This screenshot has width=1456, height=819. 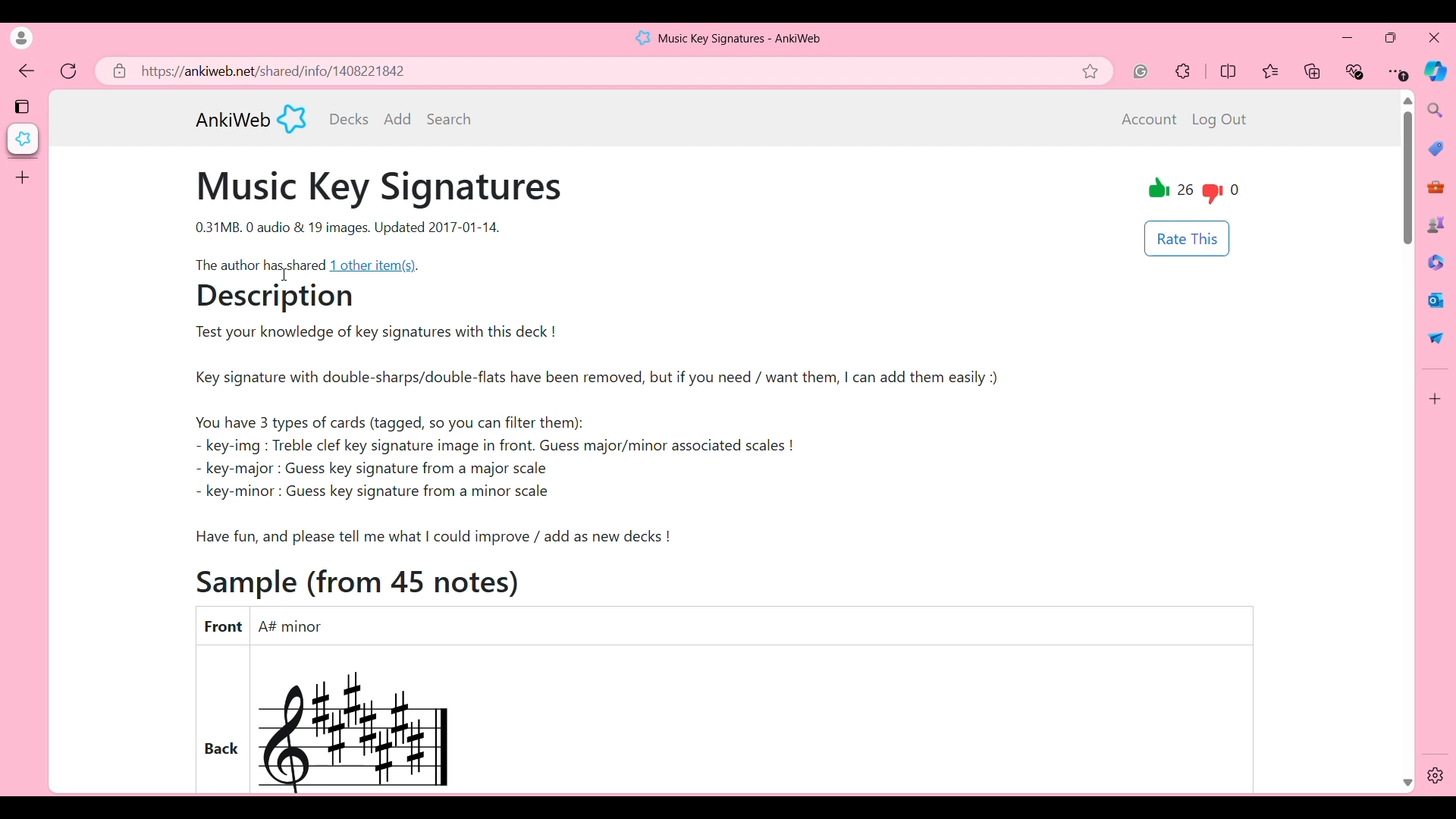 I want to click on Test your knowledge of key signatures with this deck, so click(x=372, y=334).